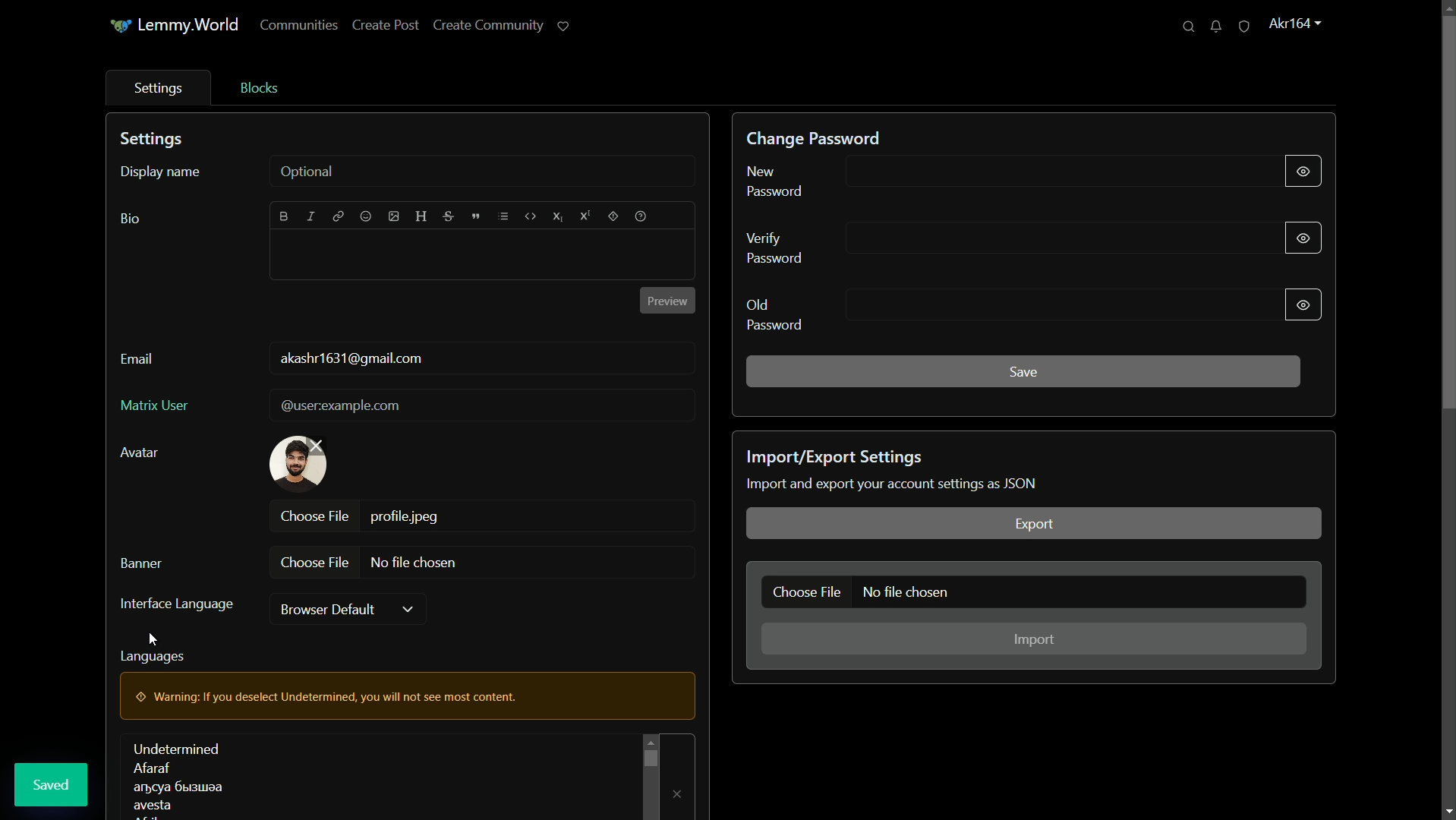 Image resolution: width=1456 pixels, height=820 pixels. I want to click on icon, so click(118, 27).